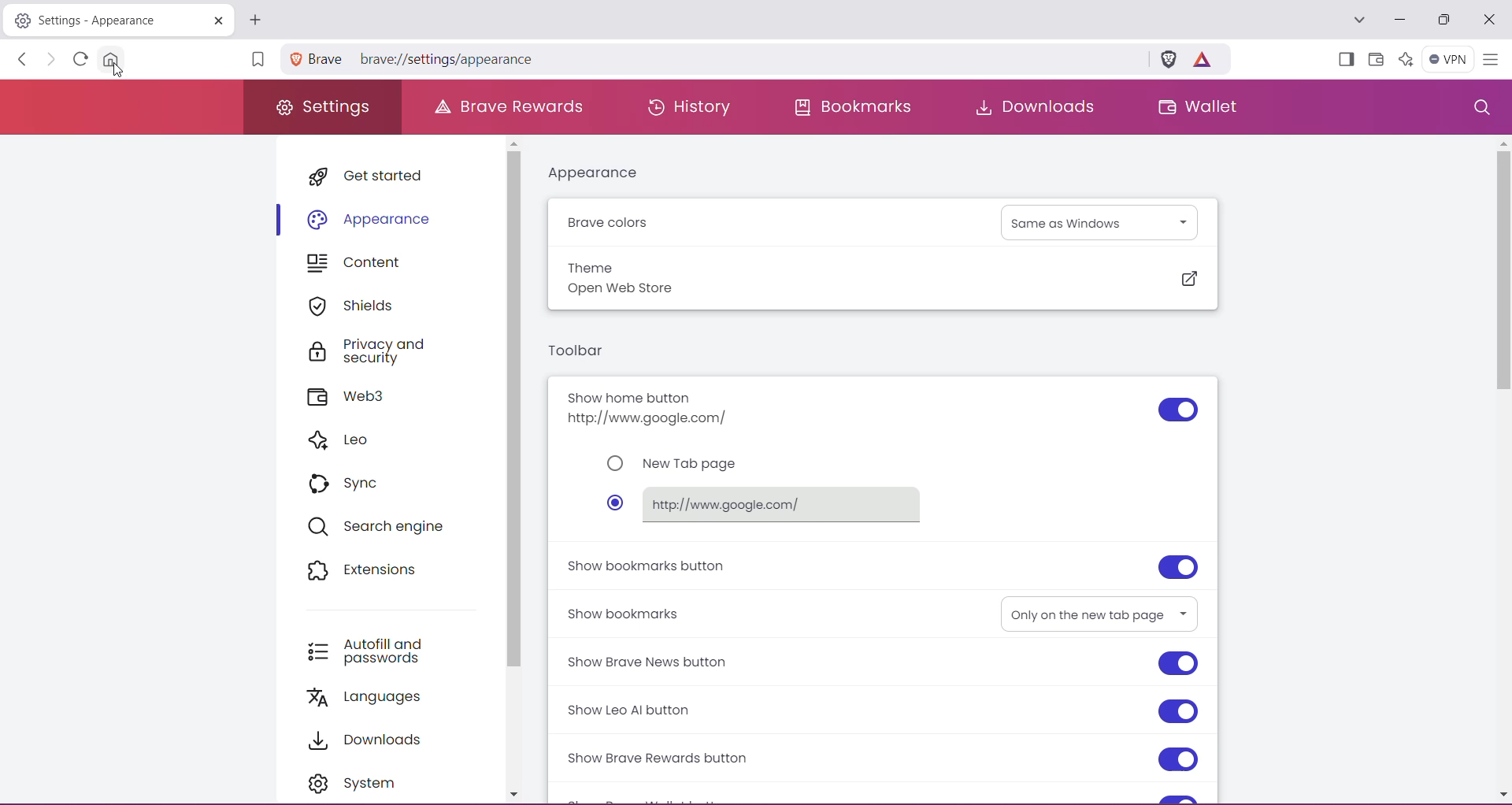 The width and height of the screenshot is (1512, 805). Describe the element at coordinates (377, 648) in the screenshot. I see `Autofill and passwords` at that location.